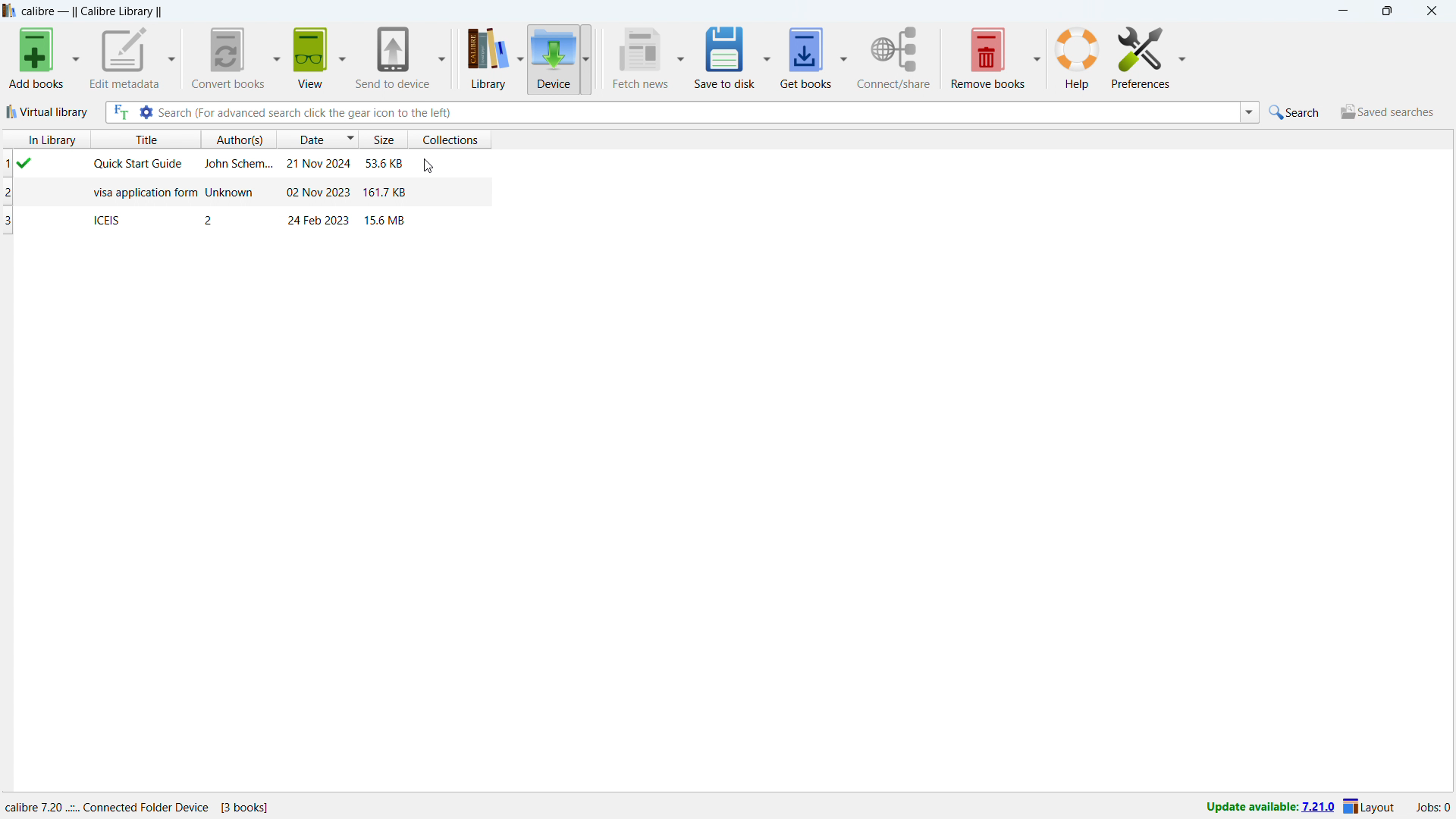  Describe the element at coordinates (1386, 111) in the screenshot. I see `saved searches` at that location.